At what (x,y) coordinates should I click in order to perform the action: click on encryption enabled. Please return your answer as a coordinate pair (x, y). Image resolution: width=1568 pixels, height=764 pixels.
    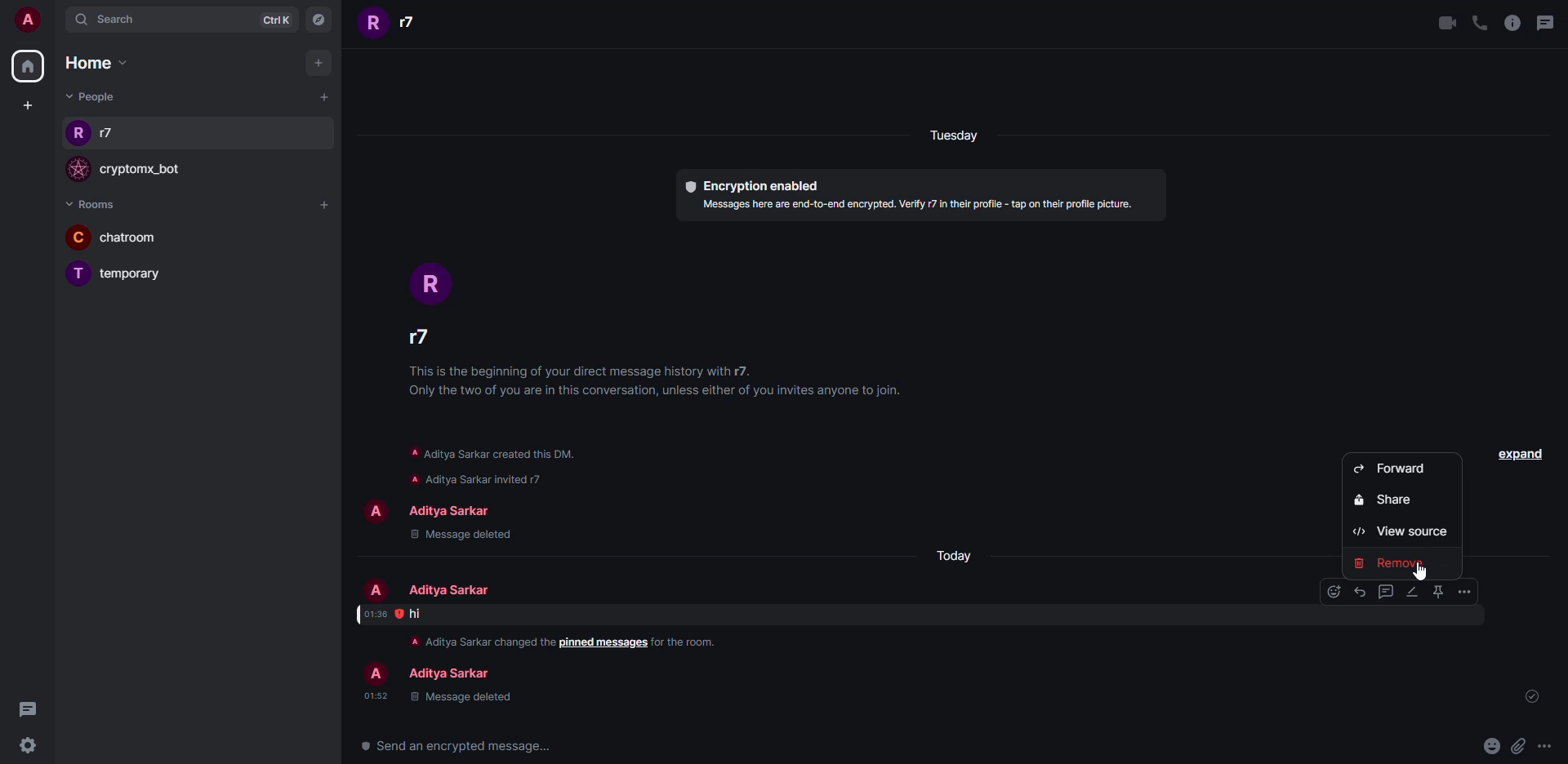
    Looking at the image, I should click on (746, 184).